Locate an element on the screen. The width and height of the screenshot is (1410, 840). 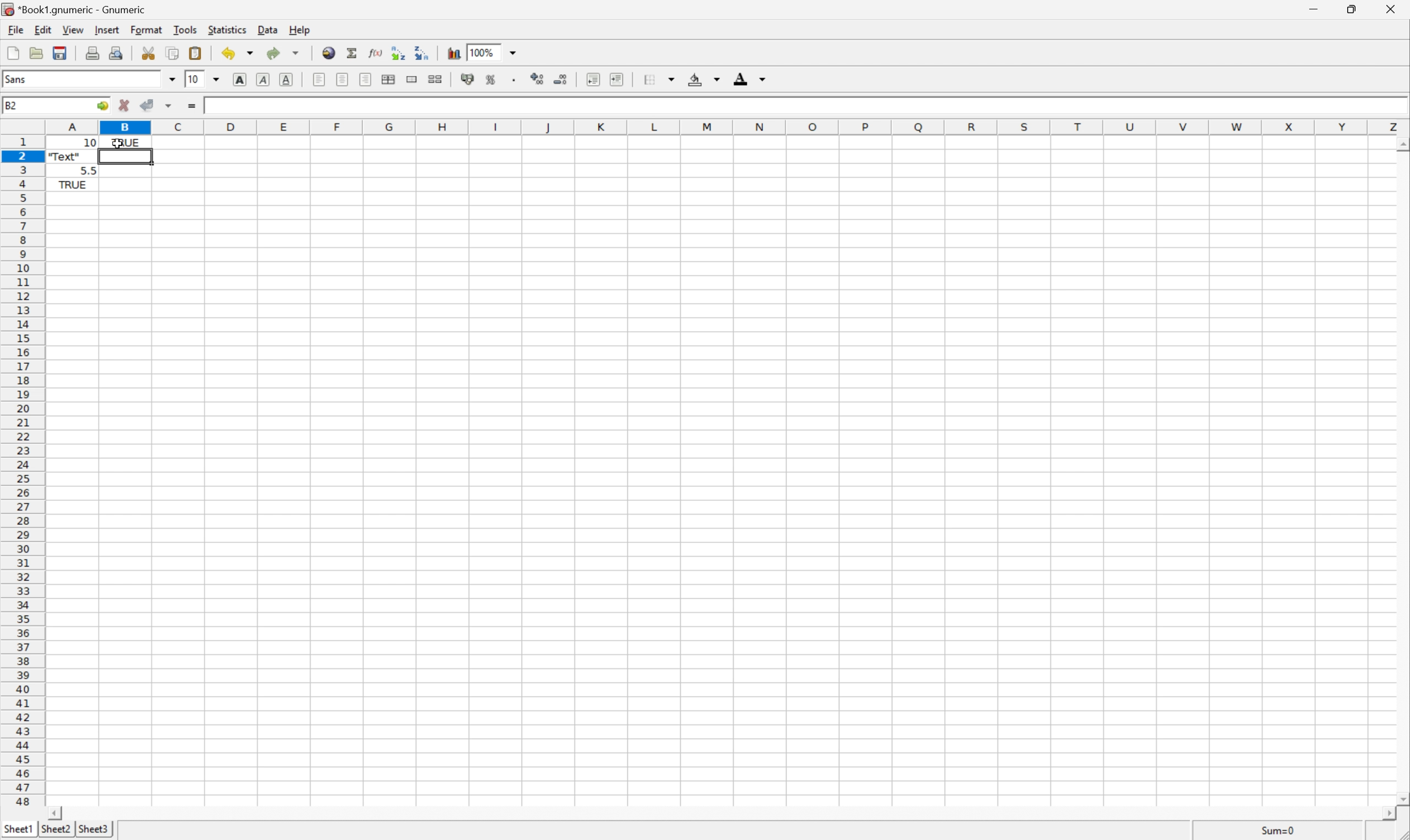
5.5 is located at coordinates (89, 169).